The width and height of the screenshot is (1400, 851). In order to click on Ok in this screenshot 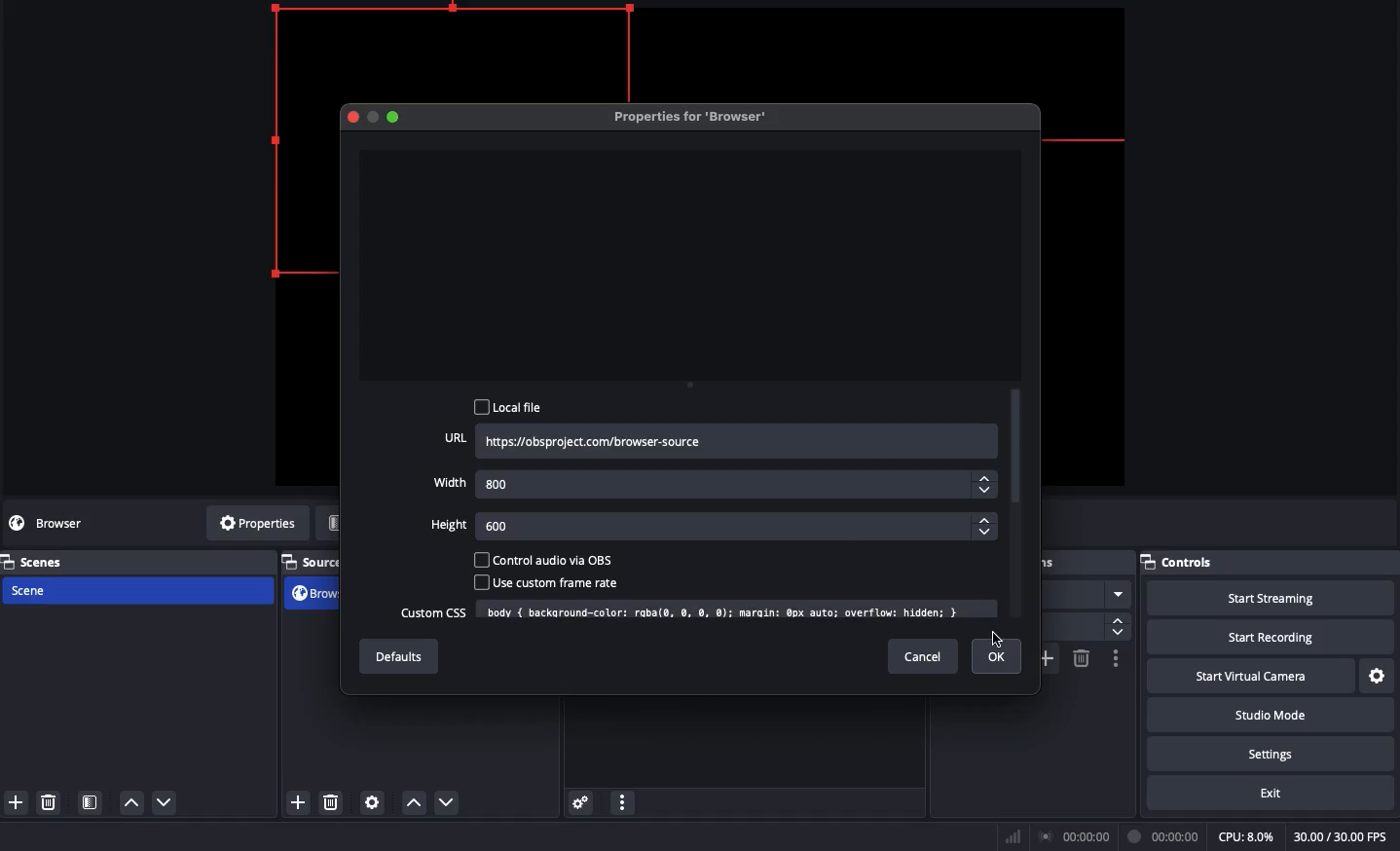, I will do `click(998, 657)`.